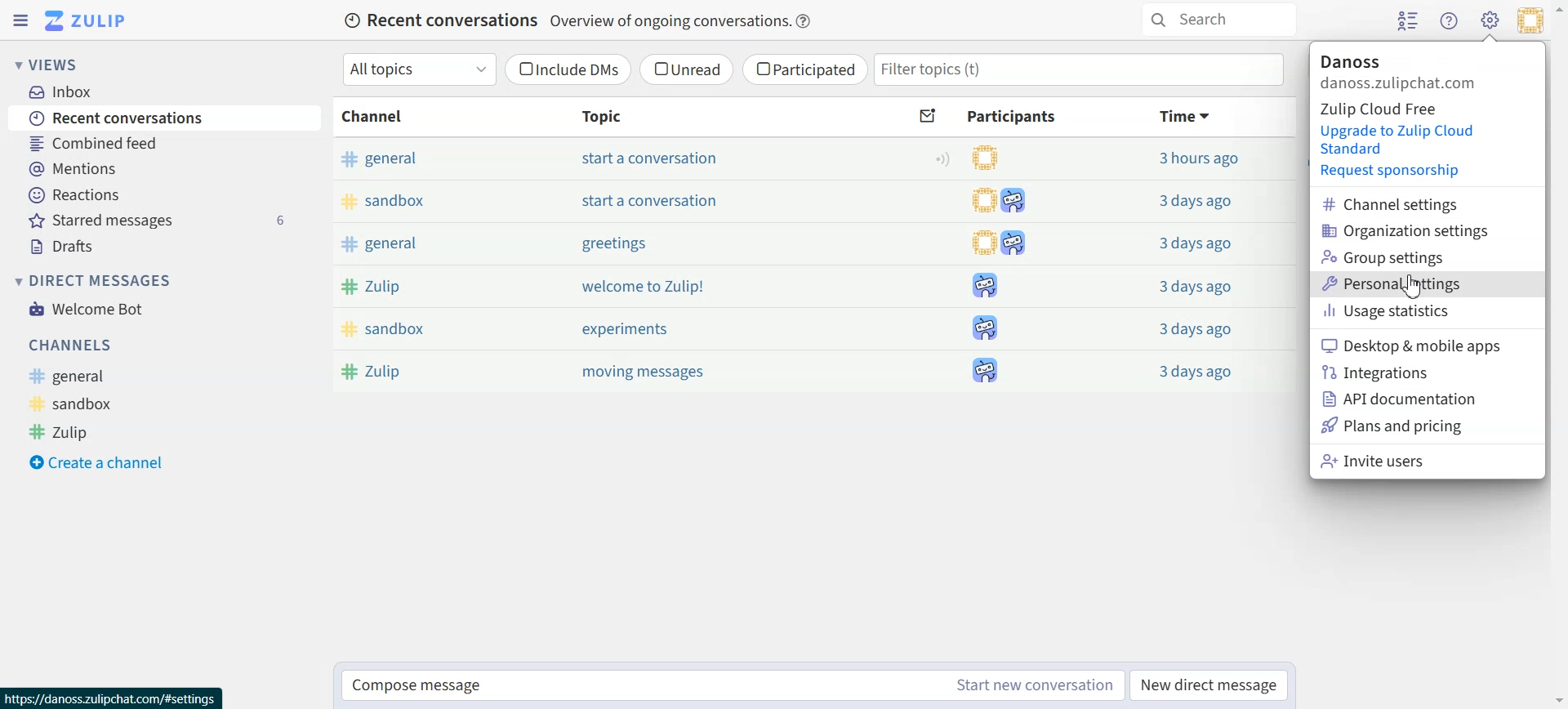 This screenshot has height=709, width=1568. I want to click on Cursor, so click(1414, 286).